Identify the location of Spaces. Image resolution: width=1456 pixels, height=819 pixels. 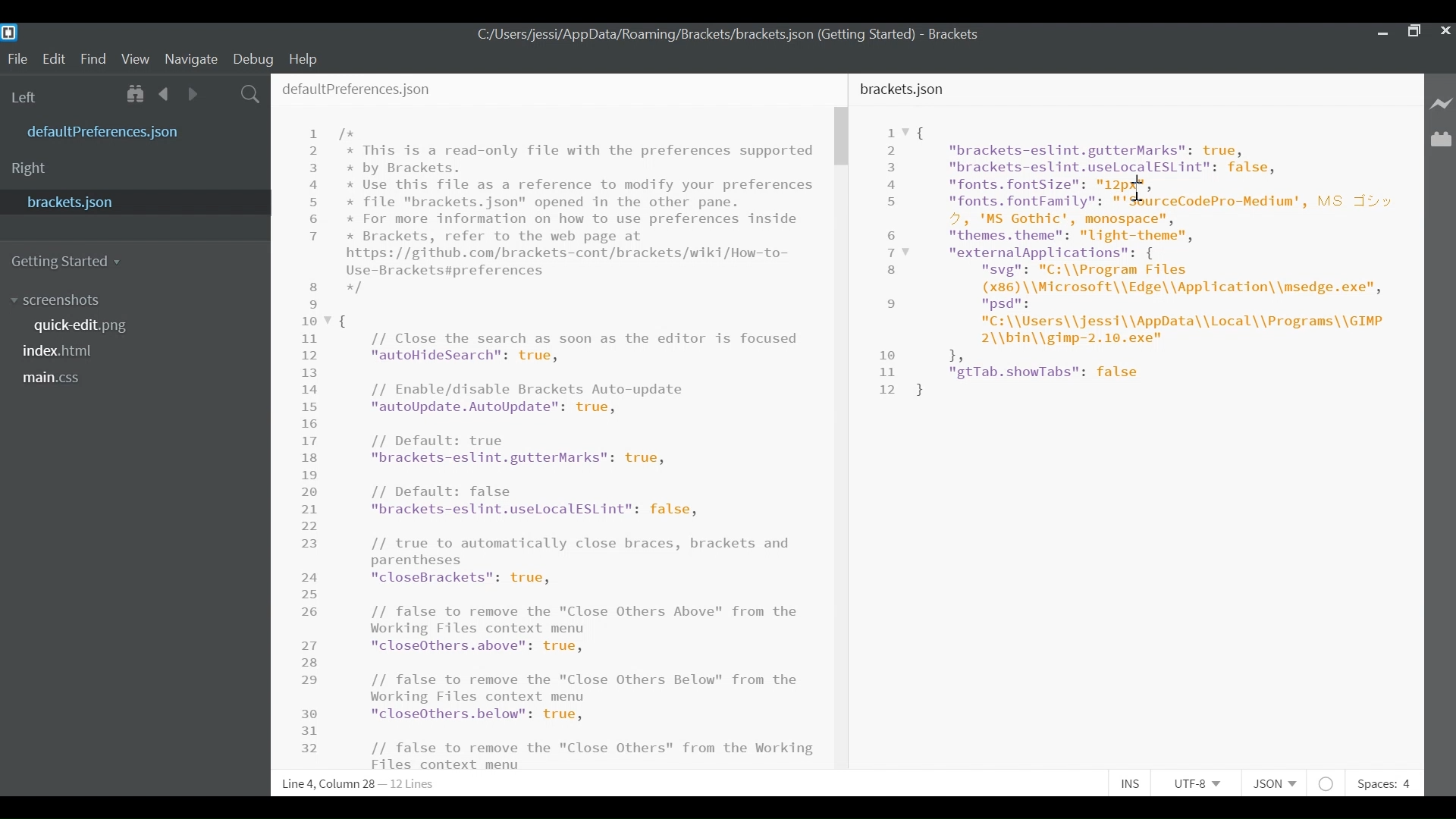
(1382, 784).